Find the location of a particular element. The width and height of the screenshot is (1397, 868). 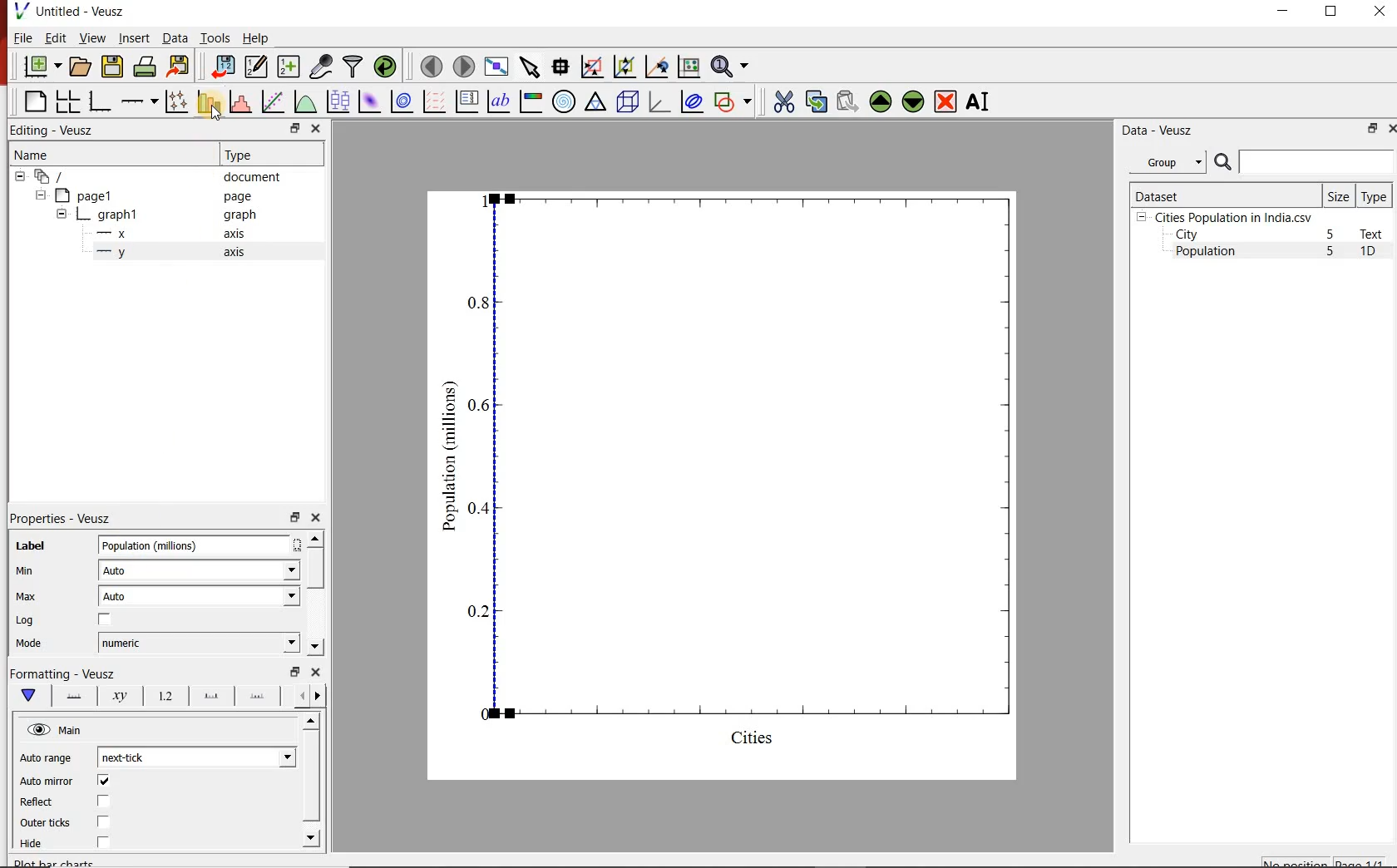

close is located at coordinates (318, 128).